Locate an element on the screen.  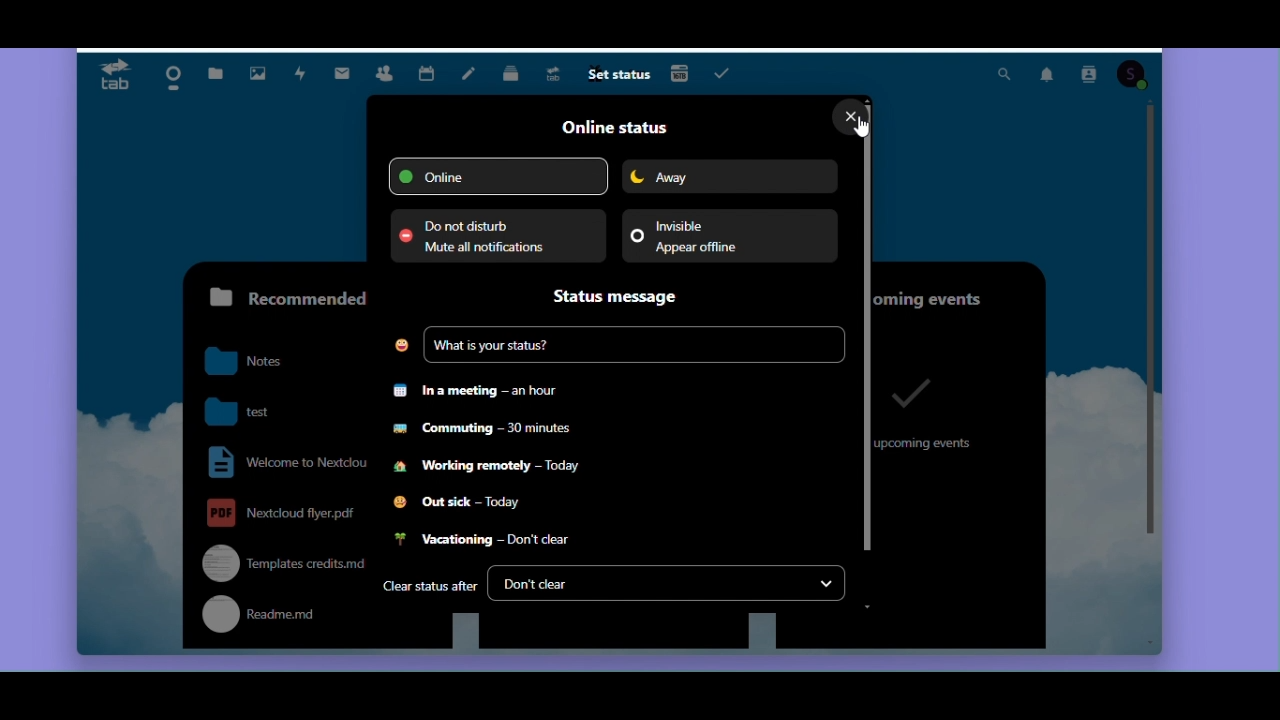
no upcoming events is located at coordinates (928, 411).